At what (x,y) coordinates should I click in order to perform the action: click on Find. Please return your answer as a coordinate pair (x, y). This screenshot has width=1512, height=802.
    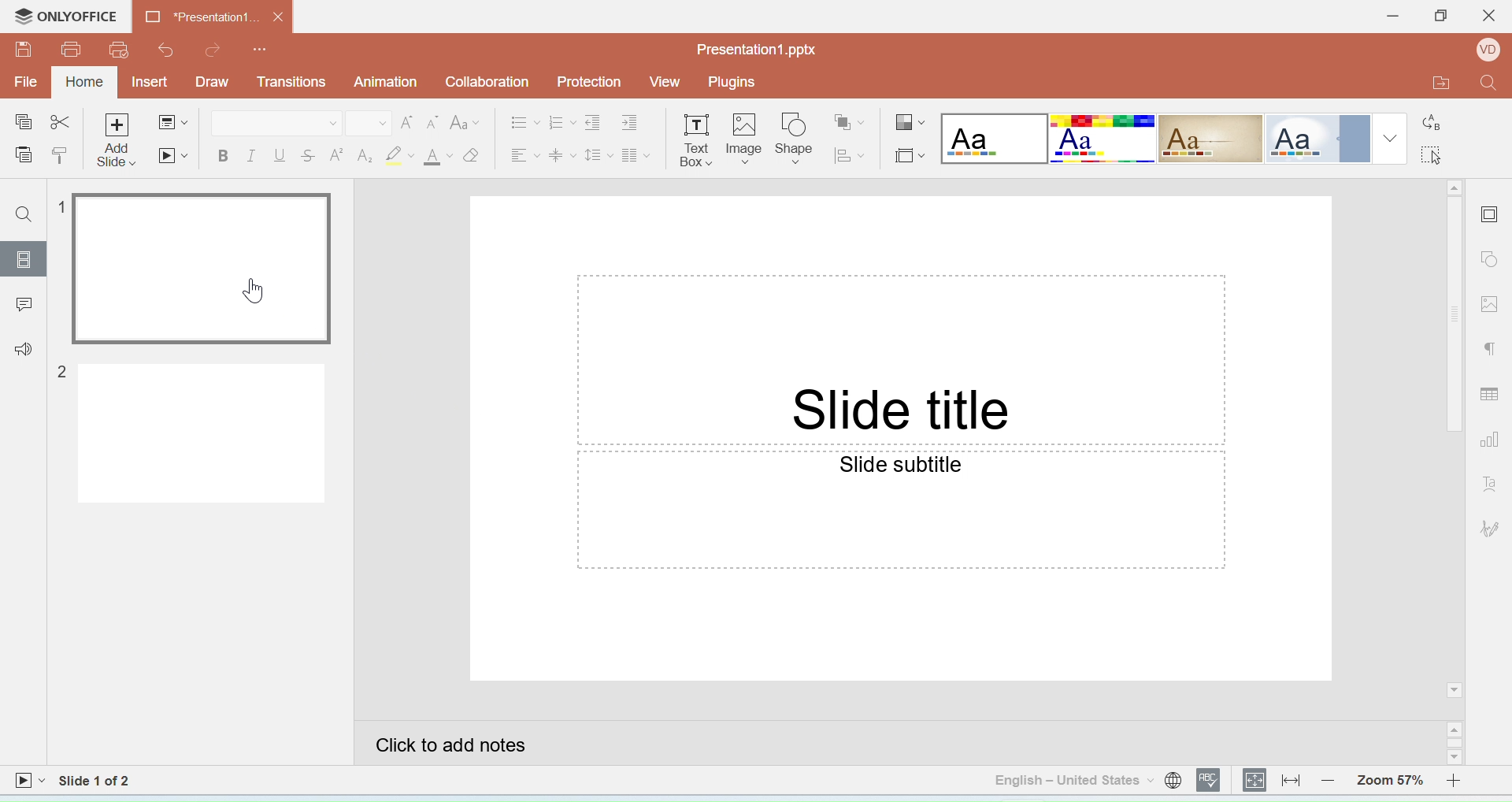
    Looking at the image, I should click on (26, 216).